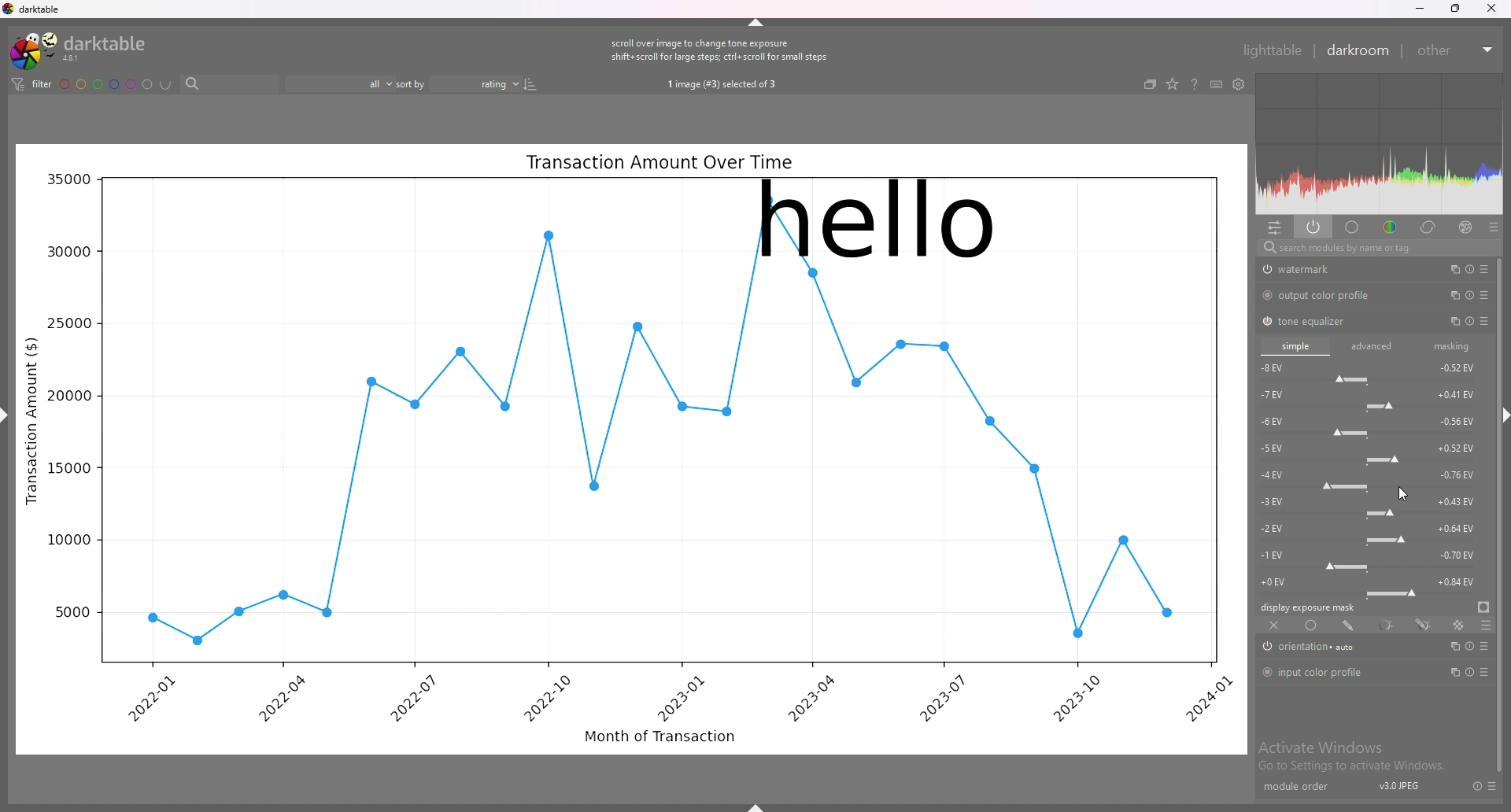  I want to click on display exposure mask, so click(1483, 607).